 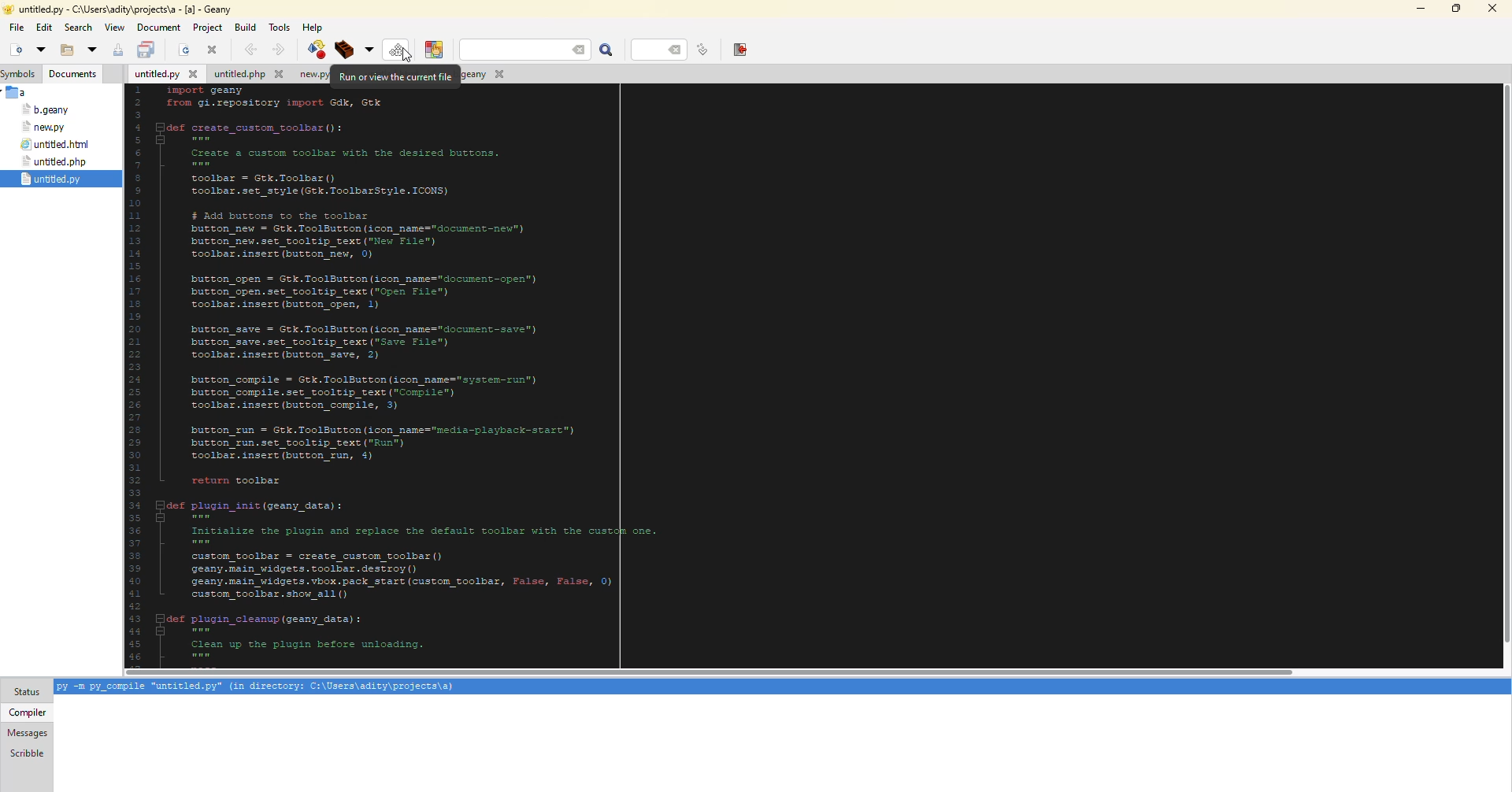 What do you see at coordinates (244, 75) in the screenshot?
I see `file` at bounding box center [244, 75].